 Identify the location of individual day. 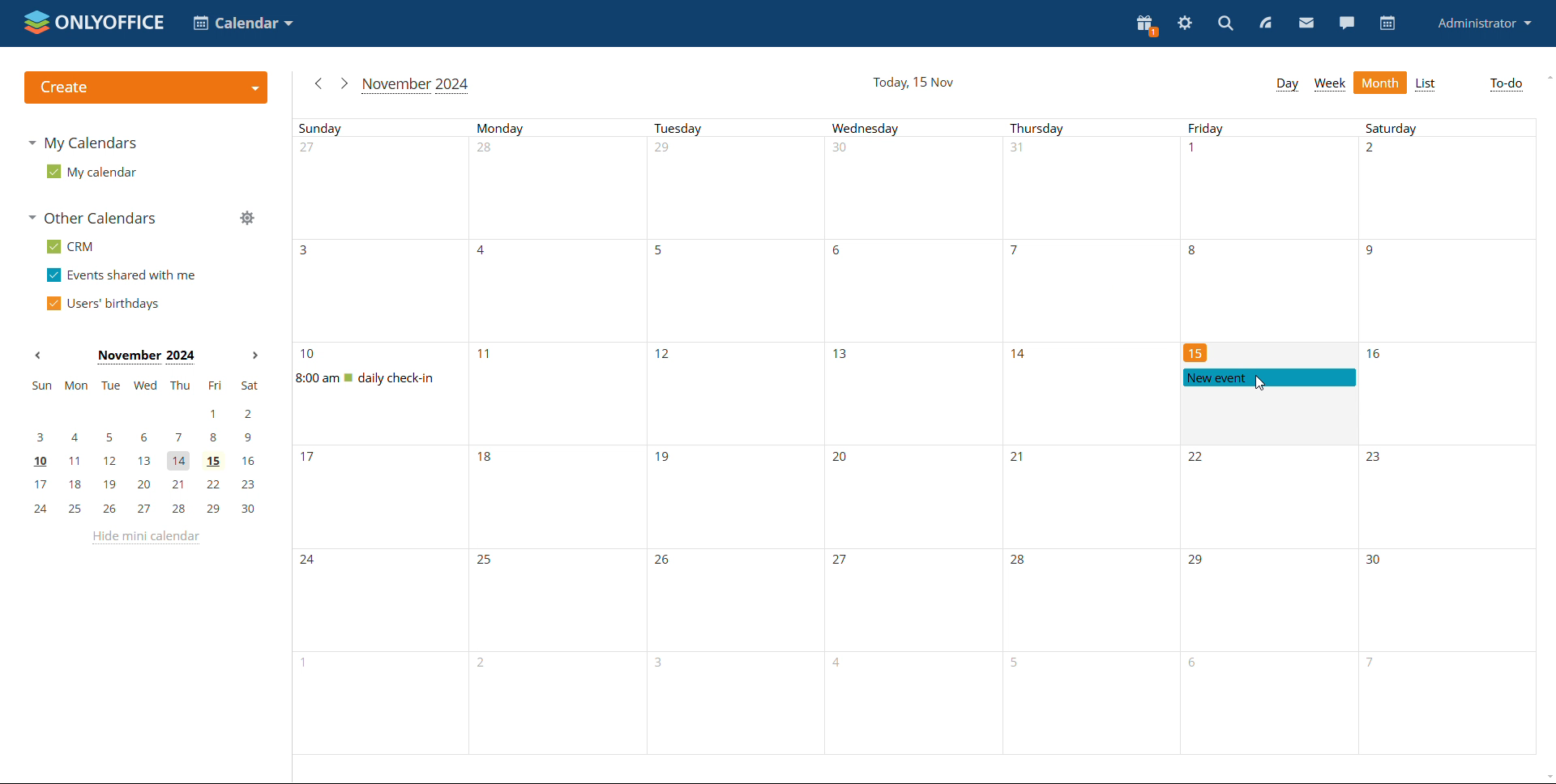
(914, 128).